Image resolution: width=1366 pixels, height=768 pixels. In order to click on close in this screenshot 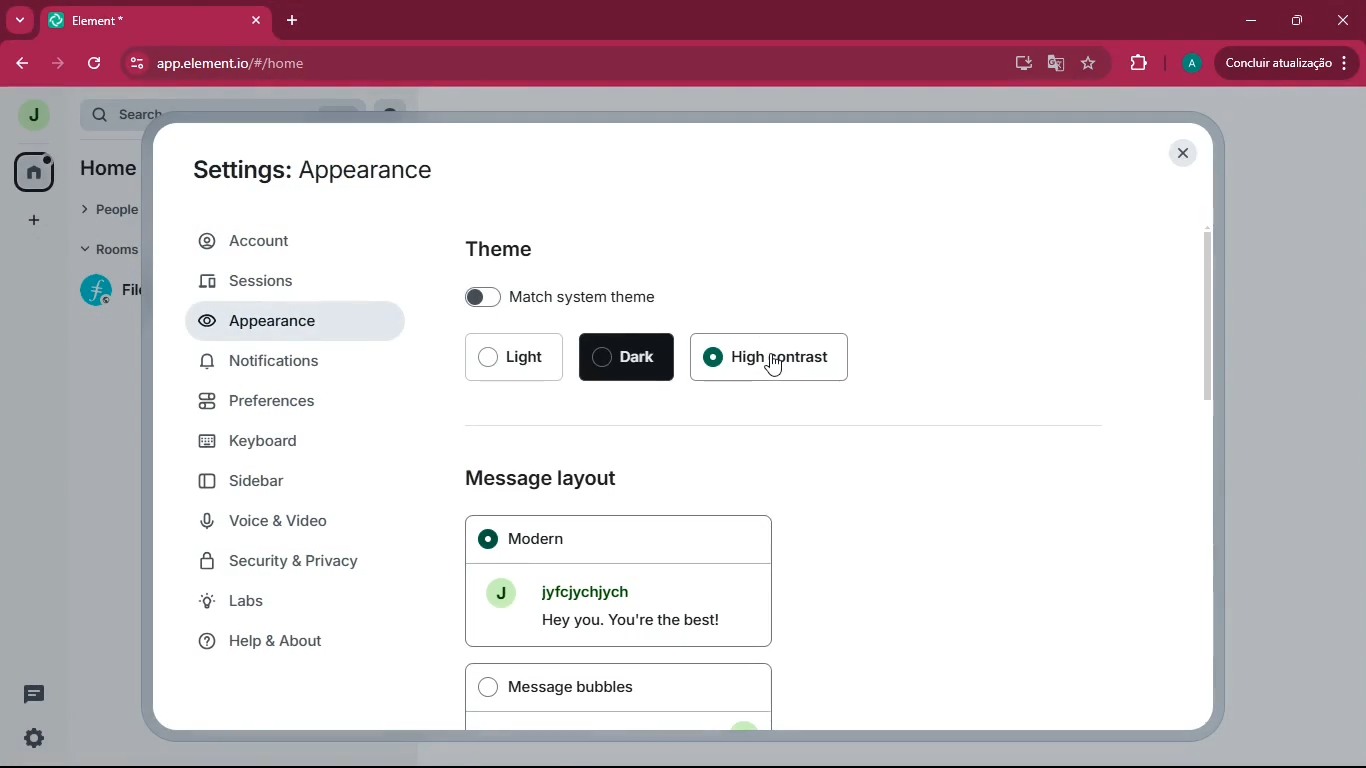, I will do `click(1345, 22)`.